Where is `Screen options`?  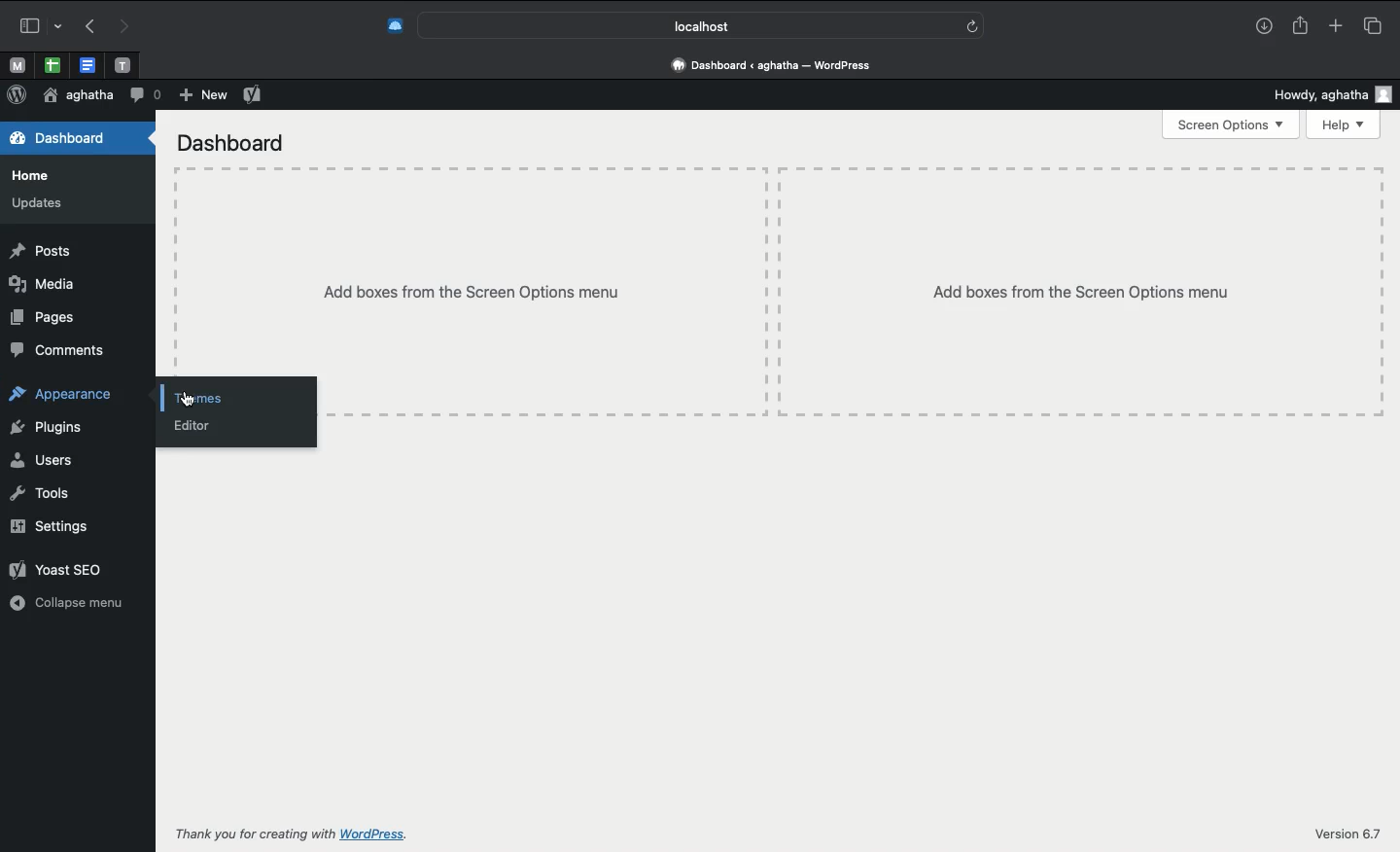
Screen options is located at coordinates (1231, 124).